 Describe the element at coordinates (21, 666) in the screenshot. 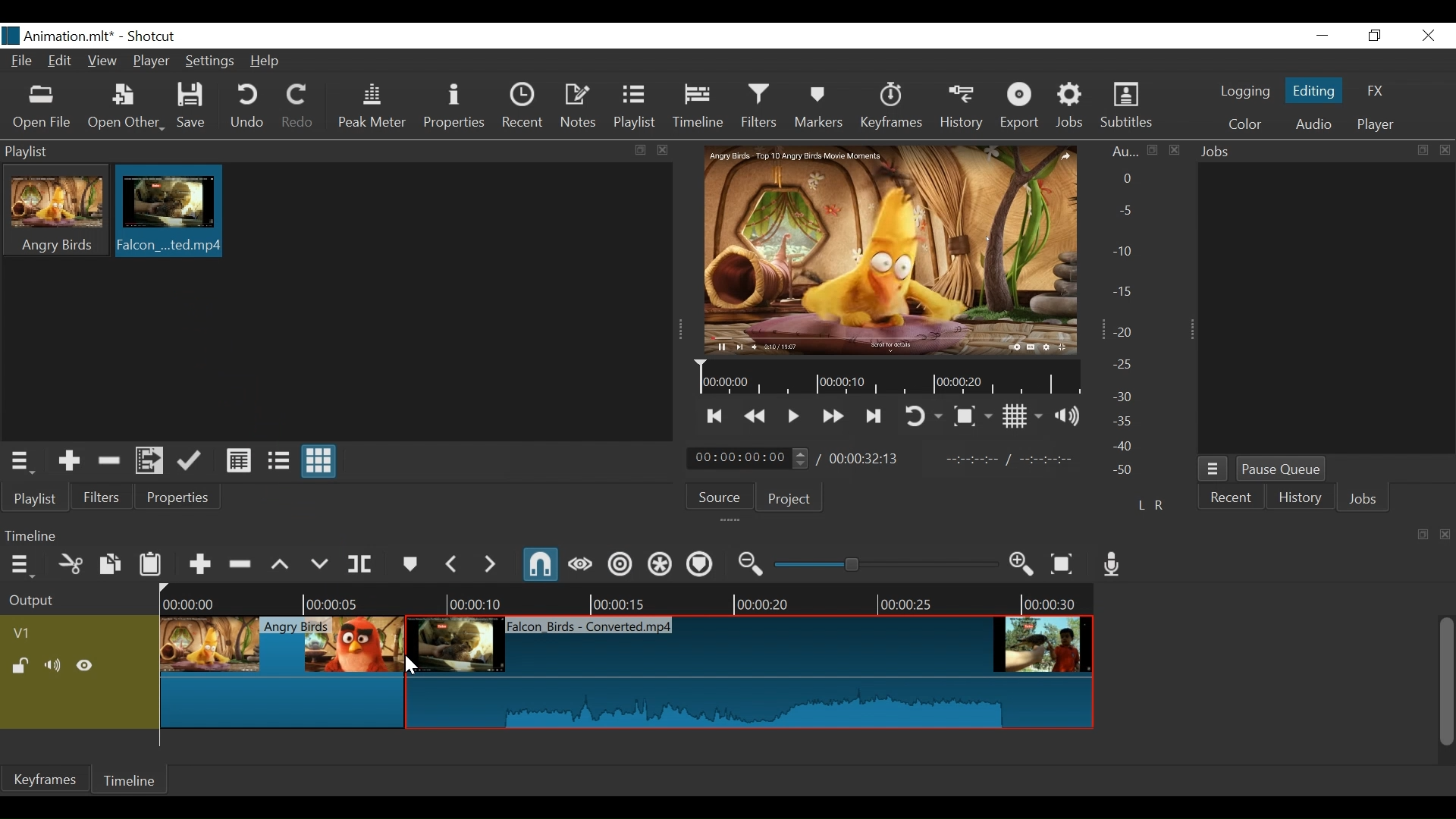

I see `(un)lock track` at that location.